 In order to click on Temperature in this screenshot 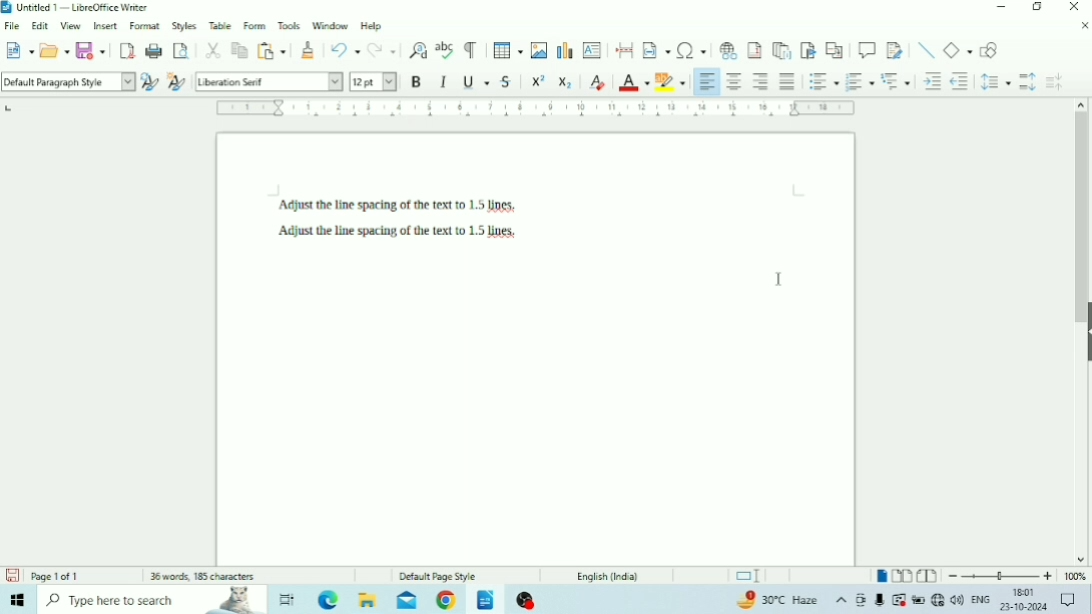, I will do `click(778, 600)`.